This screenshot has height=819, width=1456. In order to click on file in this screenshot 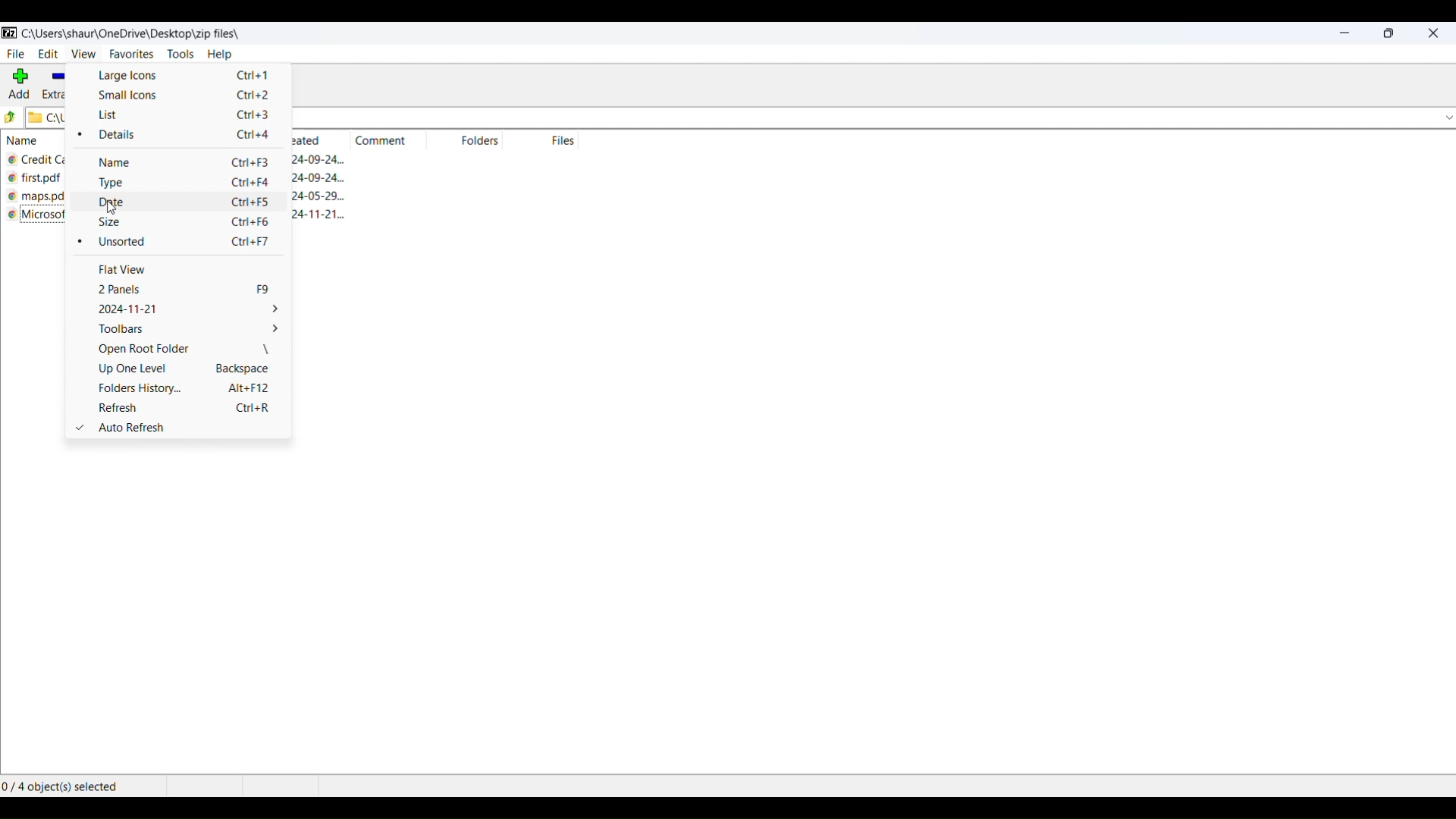, I will do `click(16, 55)`.